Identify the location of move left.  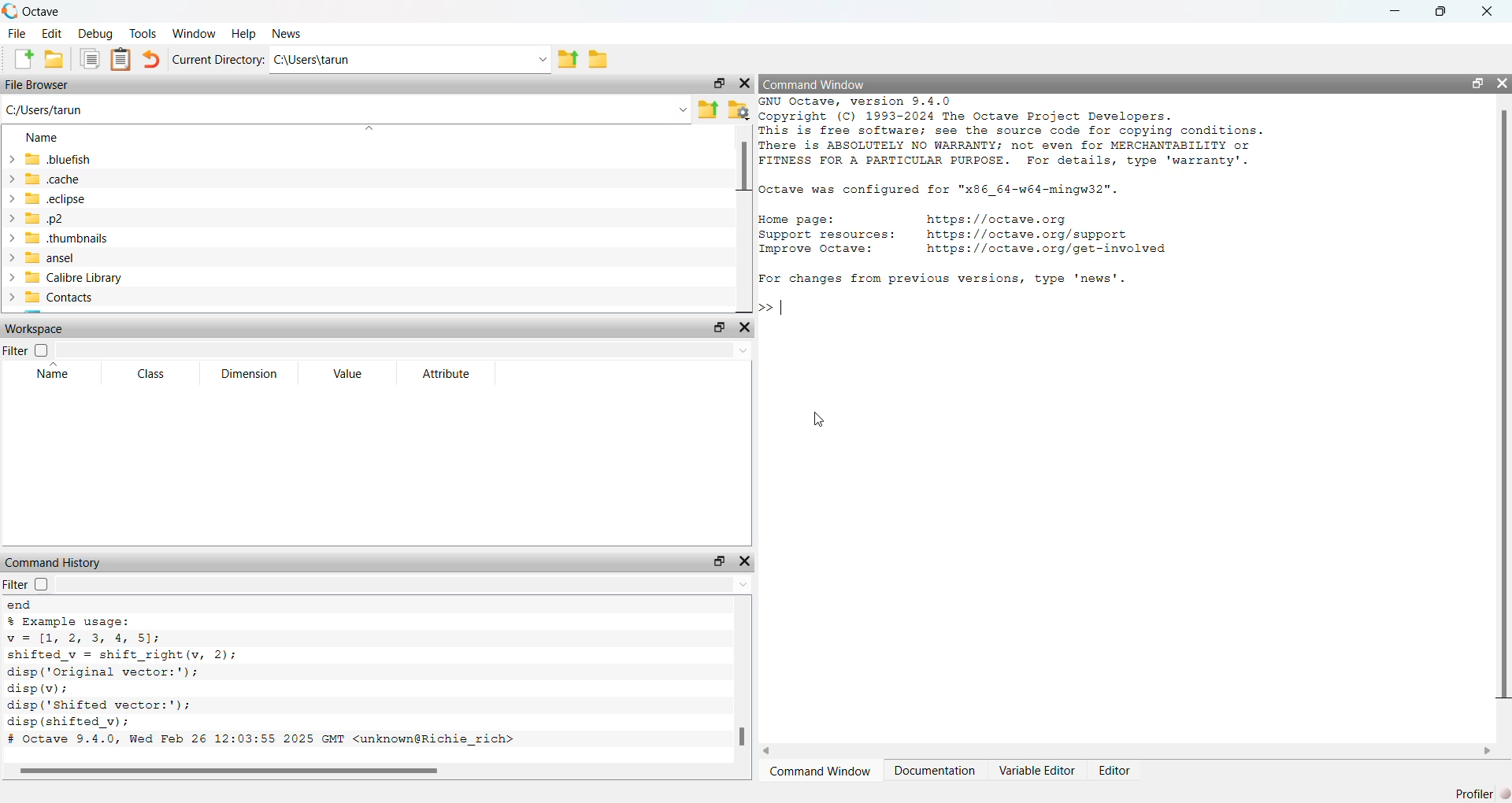
(775, 749).